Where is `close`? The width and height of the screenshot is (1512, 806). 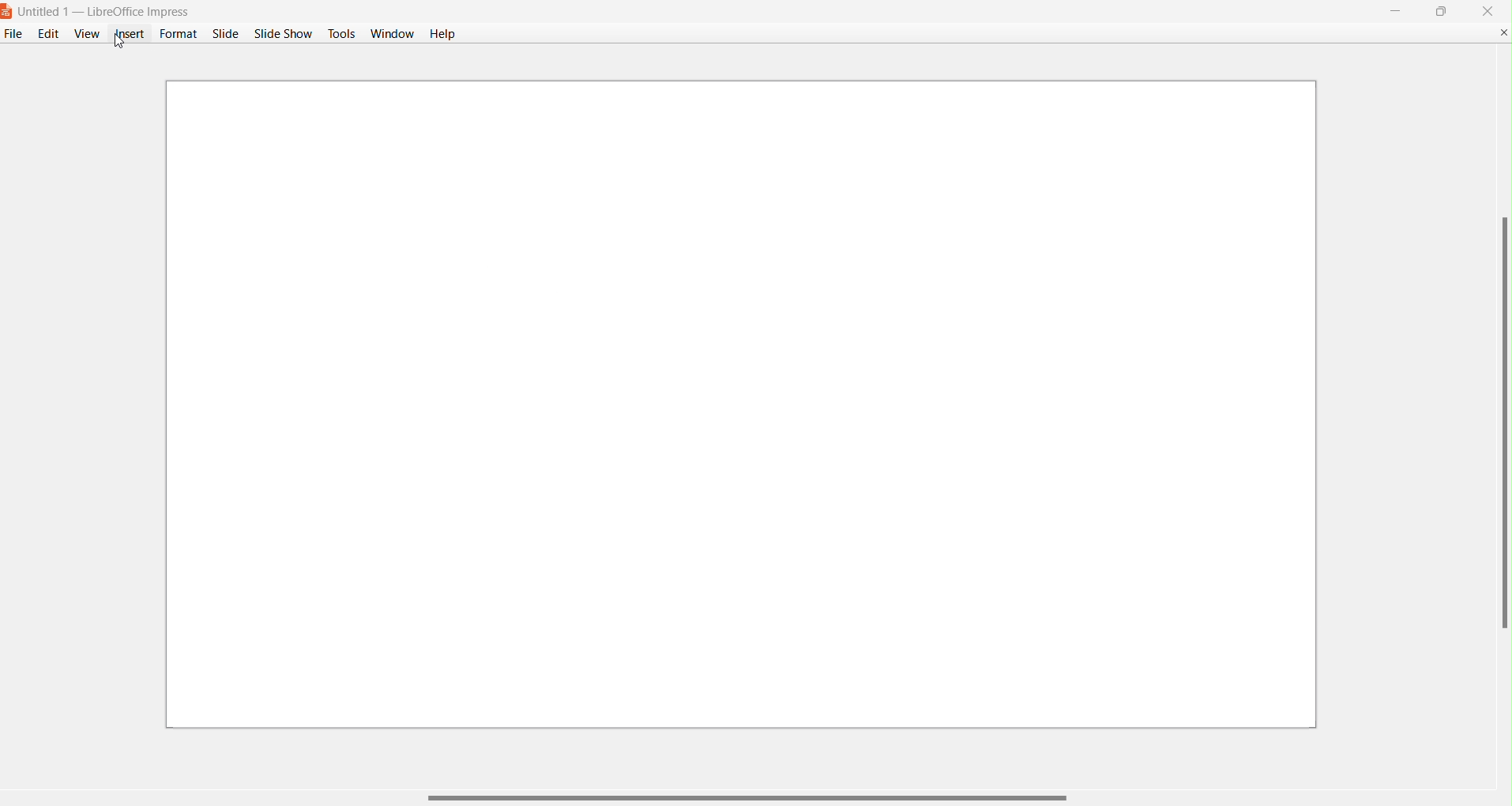 close is located at coordinates (1488, 10).